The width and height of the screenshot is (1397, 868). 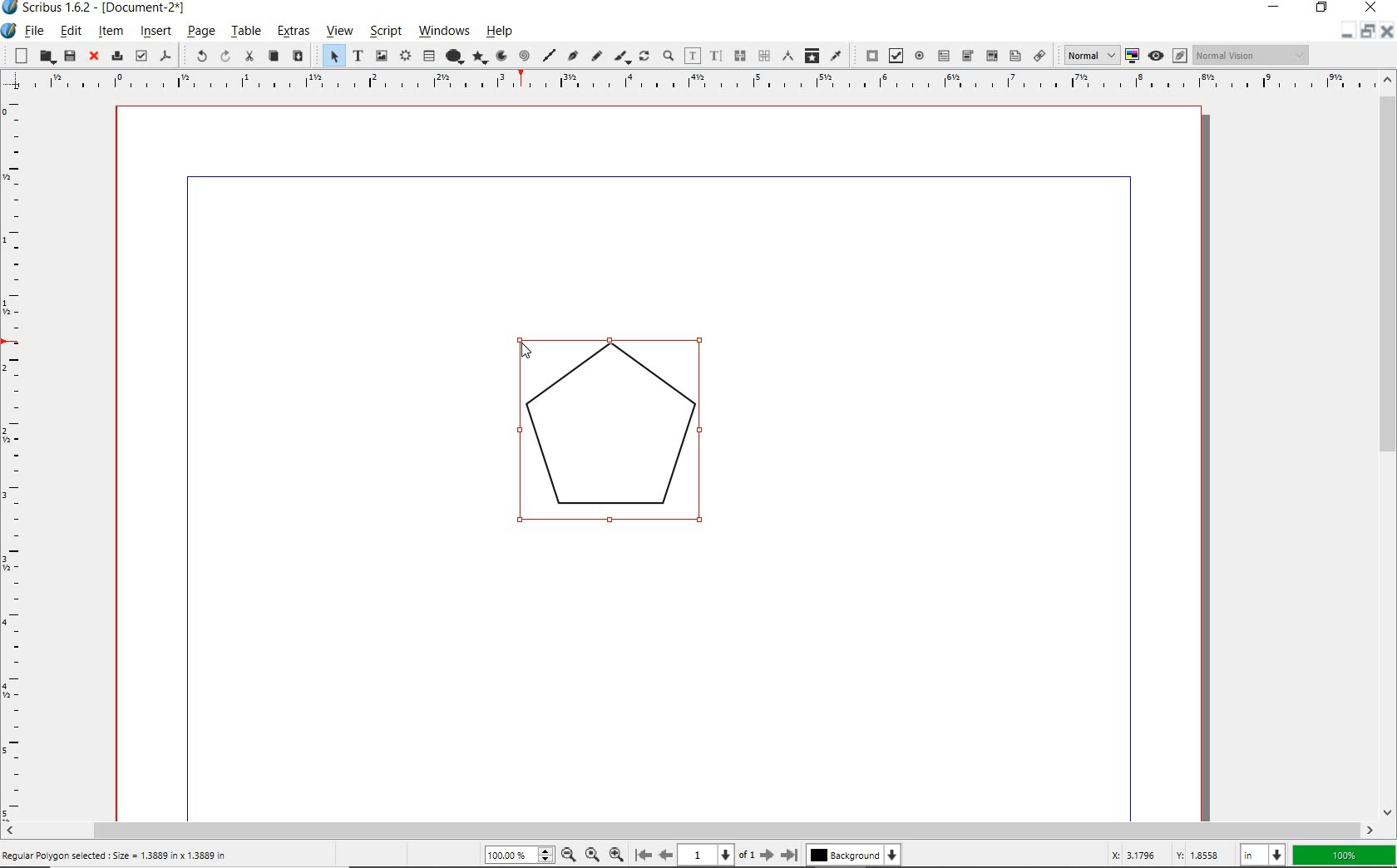 I want to click on preflight verifier, so click(x=141, y=55).